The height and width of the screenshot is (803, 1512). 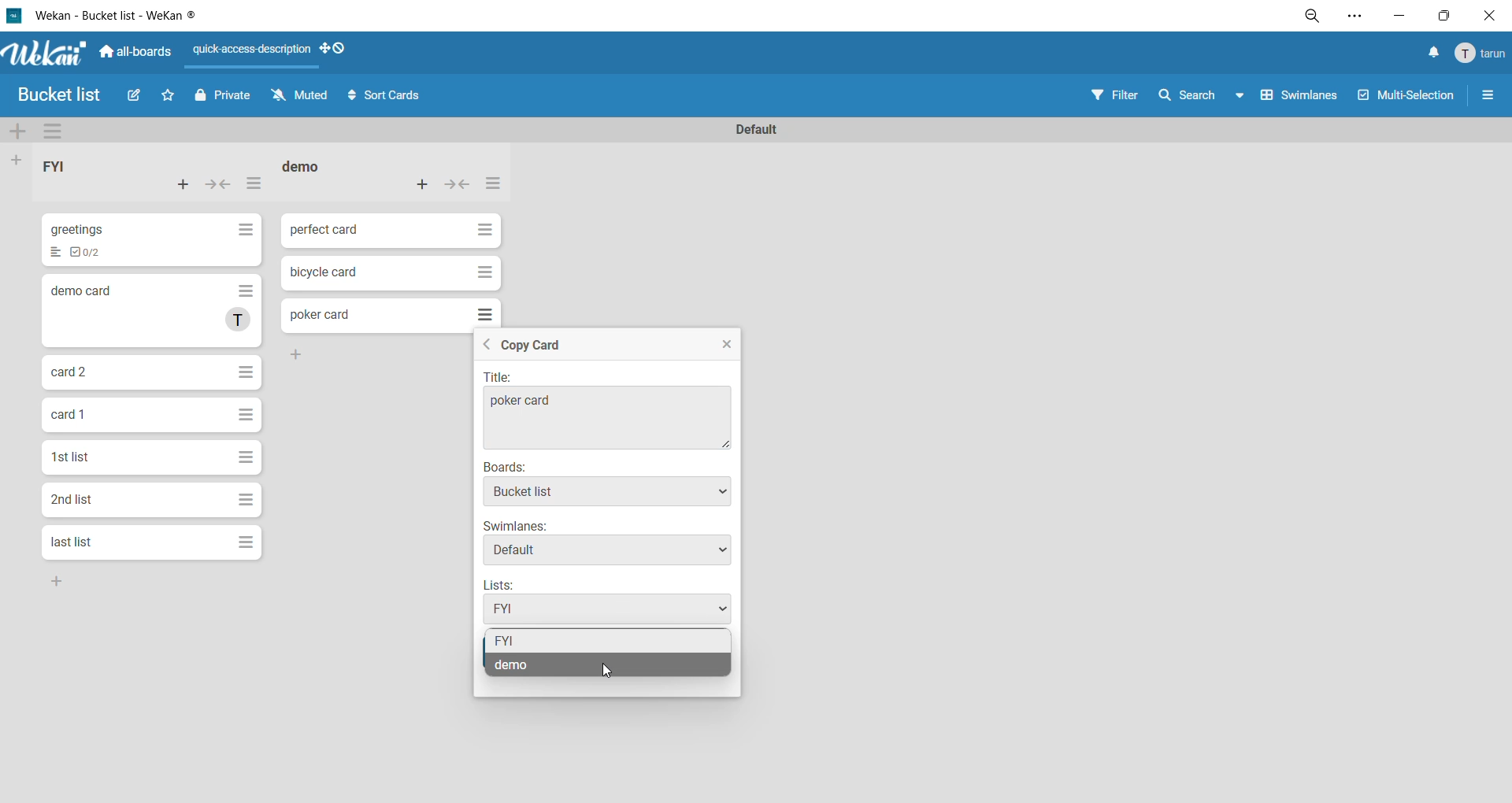 I want to click on menu, so click(x=1477, y=54).